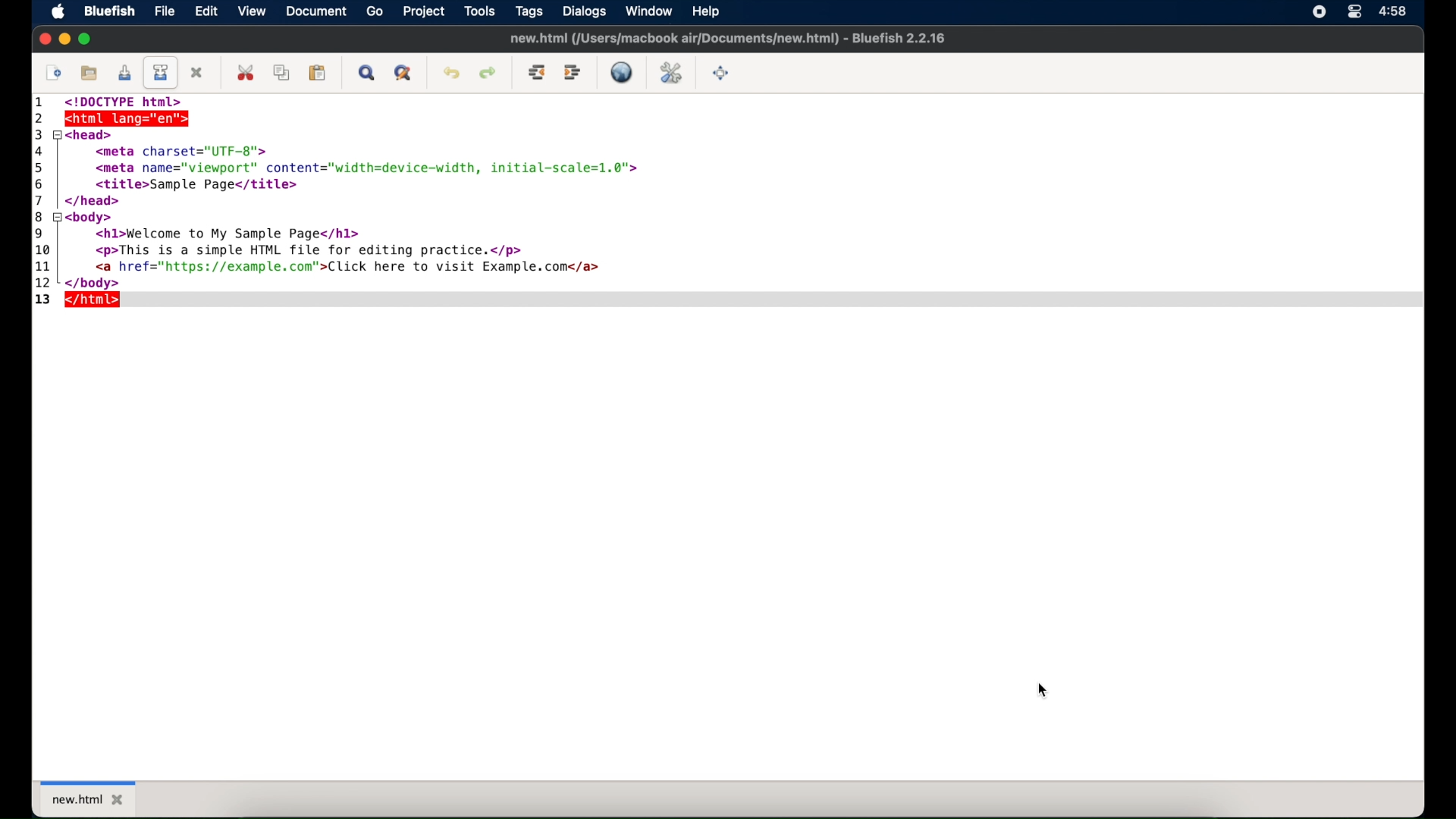  What do you see at coordinates (39, 233) in the screenshot?
I see `9` at bounding box center [39, 233].